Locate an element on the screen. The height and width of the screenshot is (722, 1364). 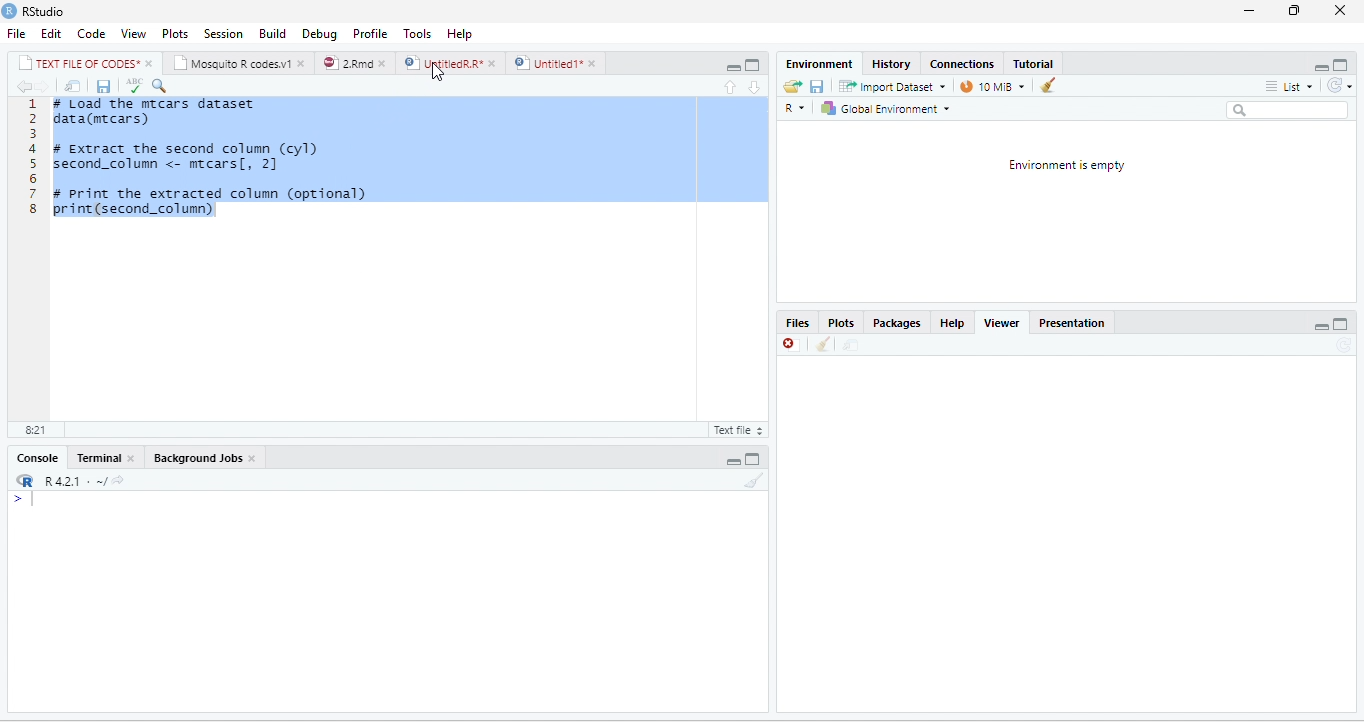
Profile is located at coordinates (371, 32).